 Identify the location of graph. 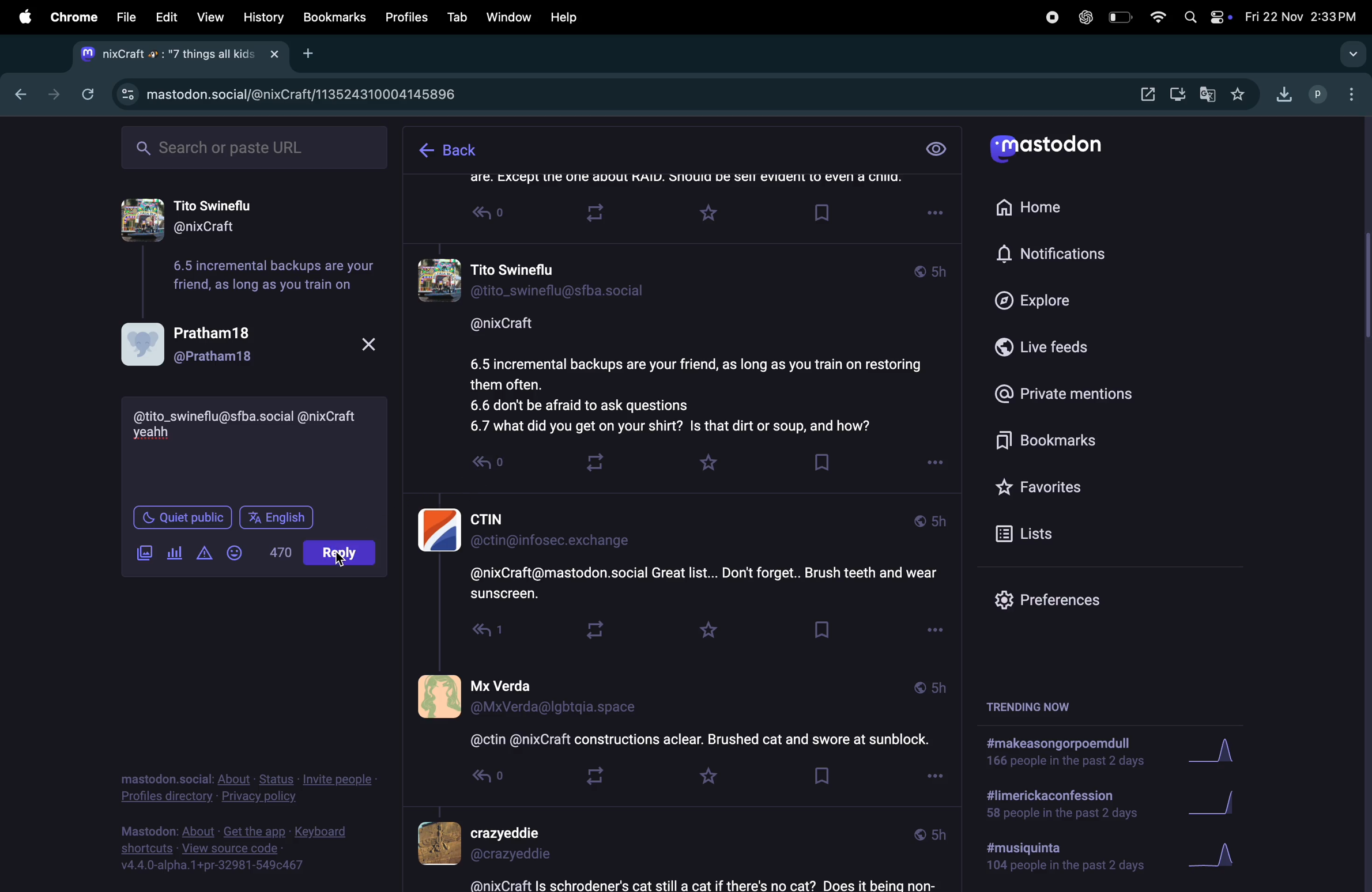
(1222, 800).